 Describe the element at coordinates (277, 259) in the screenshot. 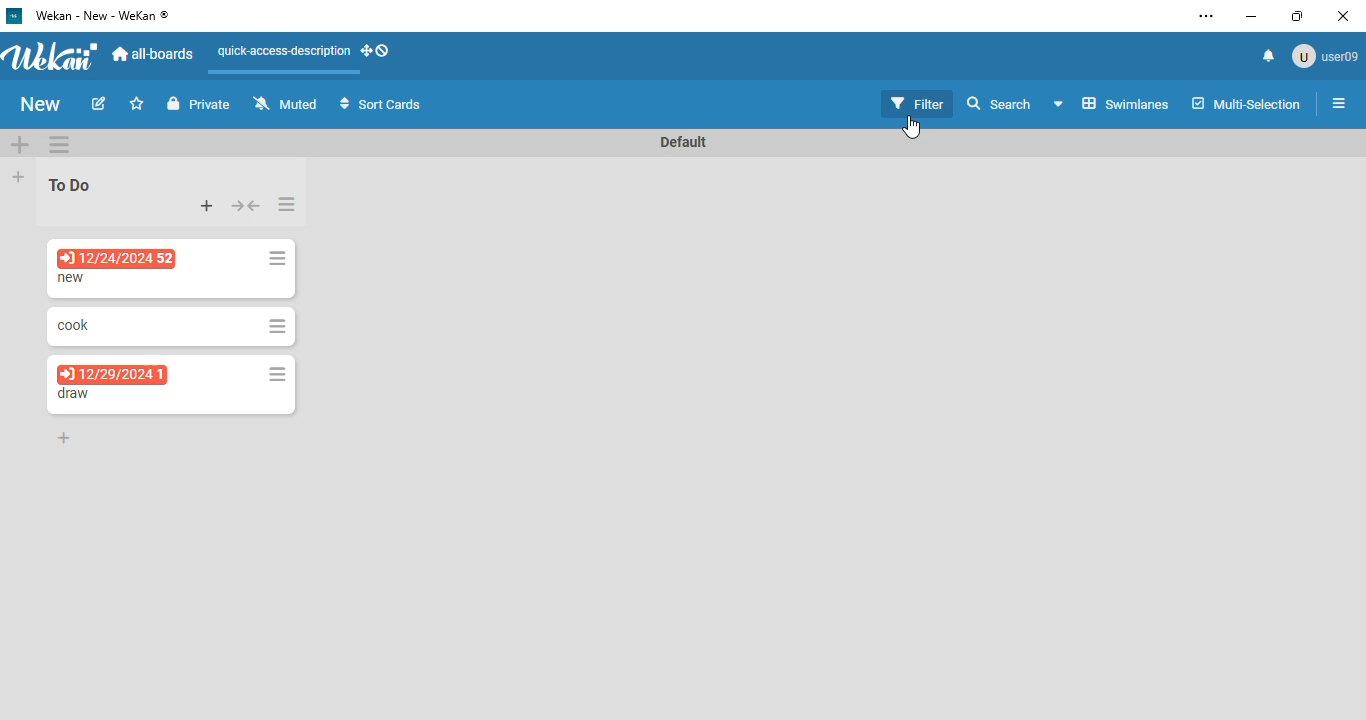

I see `card actions` at that location.